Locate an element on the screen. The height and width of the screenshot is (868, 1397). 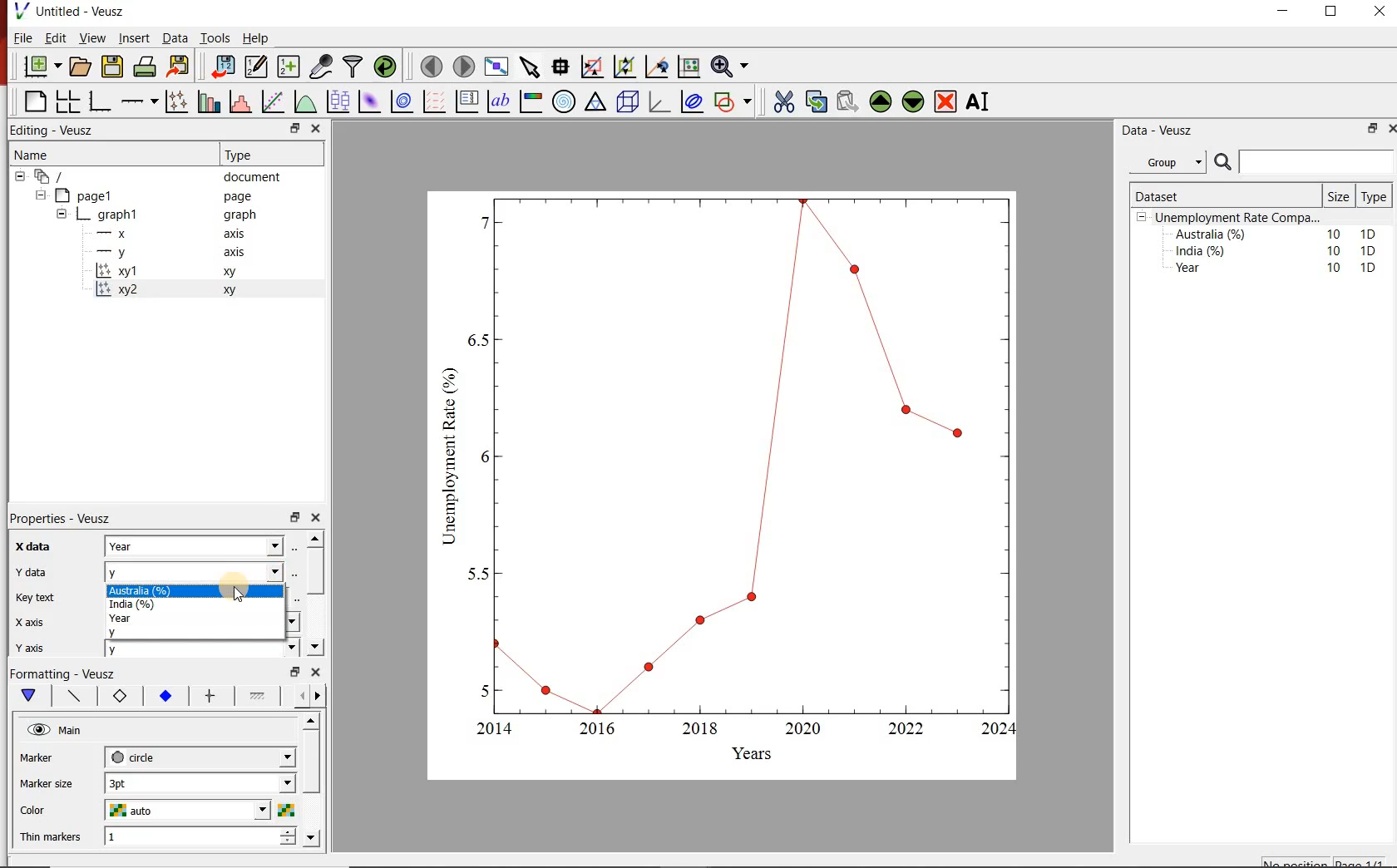
add an axis is located at coordinates (138, 101).